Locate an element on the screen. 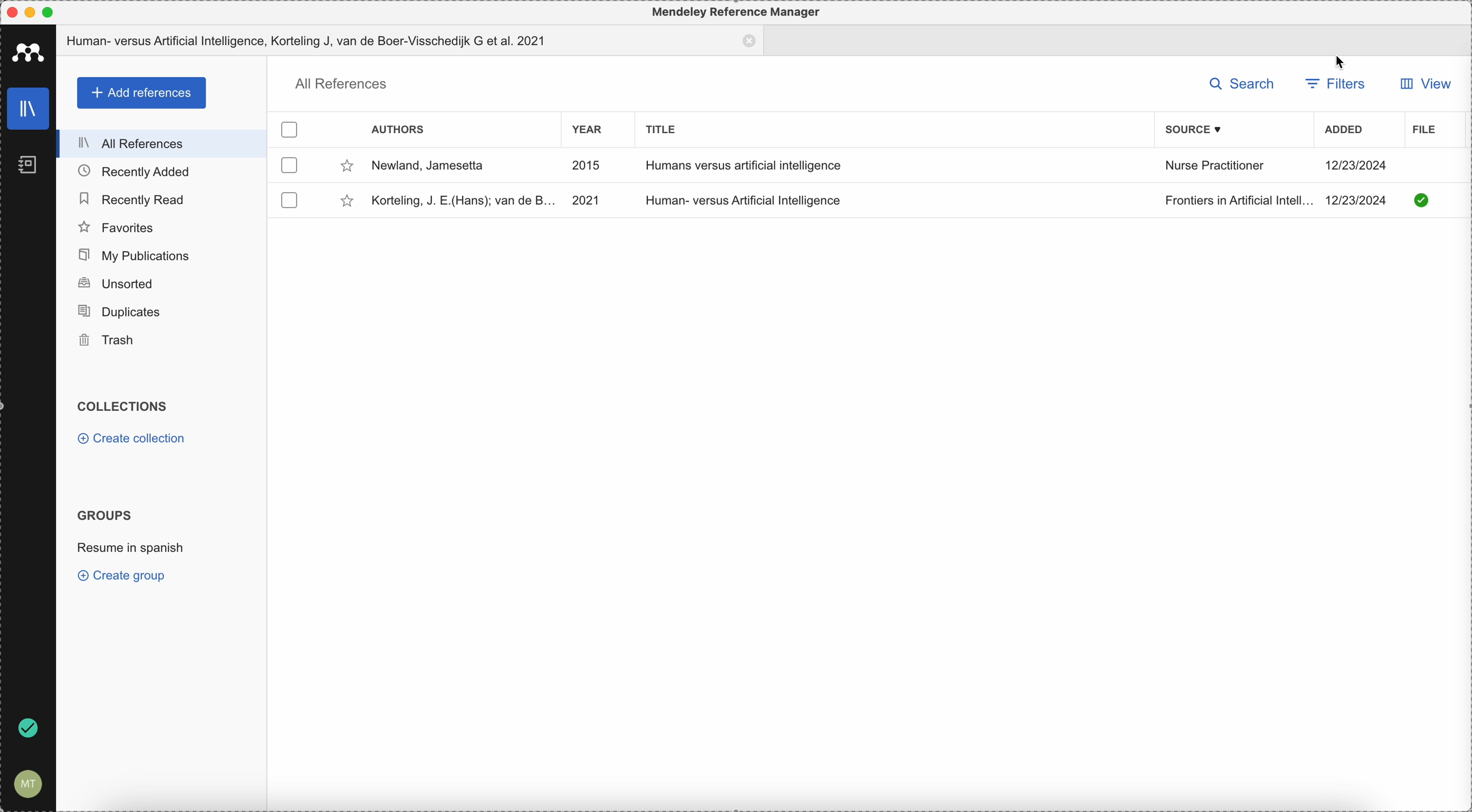 This screenshot has height=812, width=1472. authors is located at coordinates (399, 129).